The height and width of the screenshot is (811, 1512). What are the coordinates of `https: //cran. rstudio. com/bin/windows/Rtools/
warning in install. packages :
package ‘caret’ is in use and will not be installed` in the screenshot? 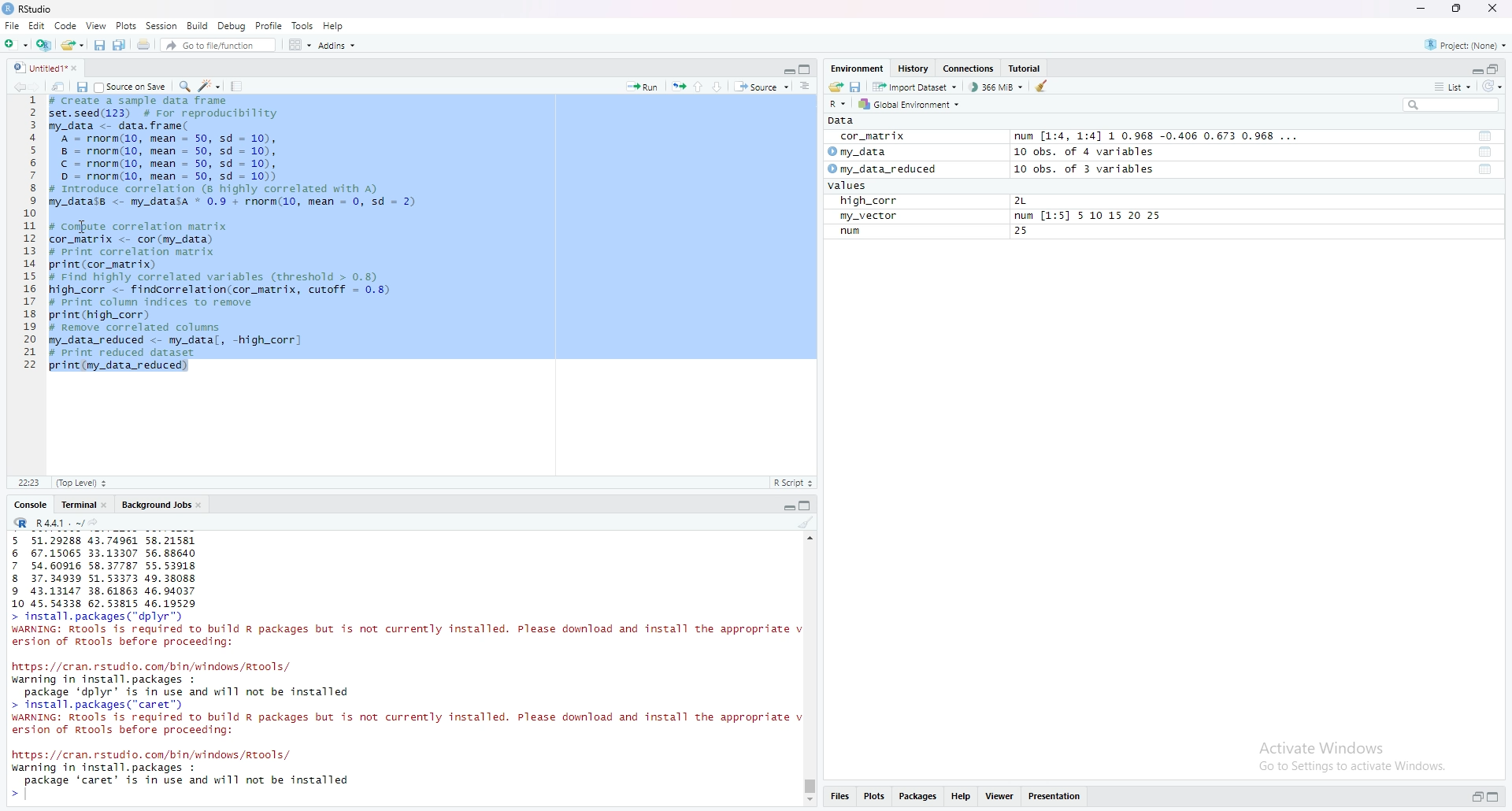 It's located at (183, 775).